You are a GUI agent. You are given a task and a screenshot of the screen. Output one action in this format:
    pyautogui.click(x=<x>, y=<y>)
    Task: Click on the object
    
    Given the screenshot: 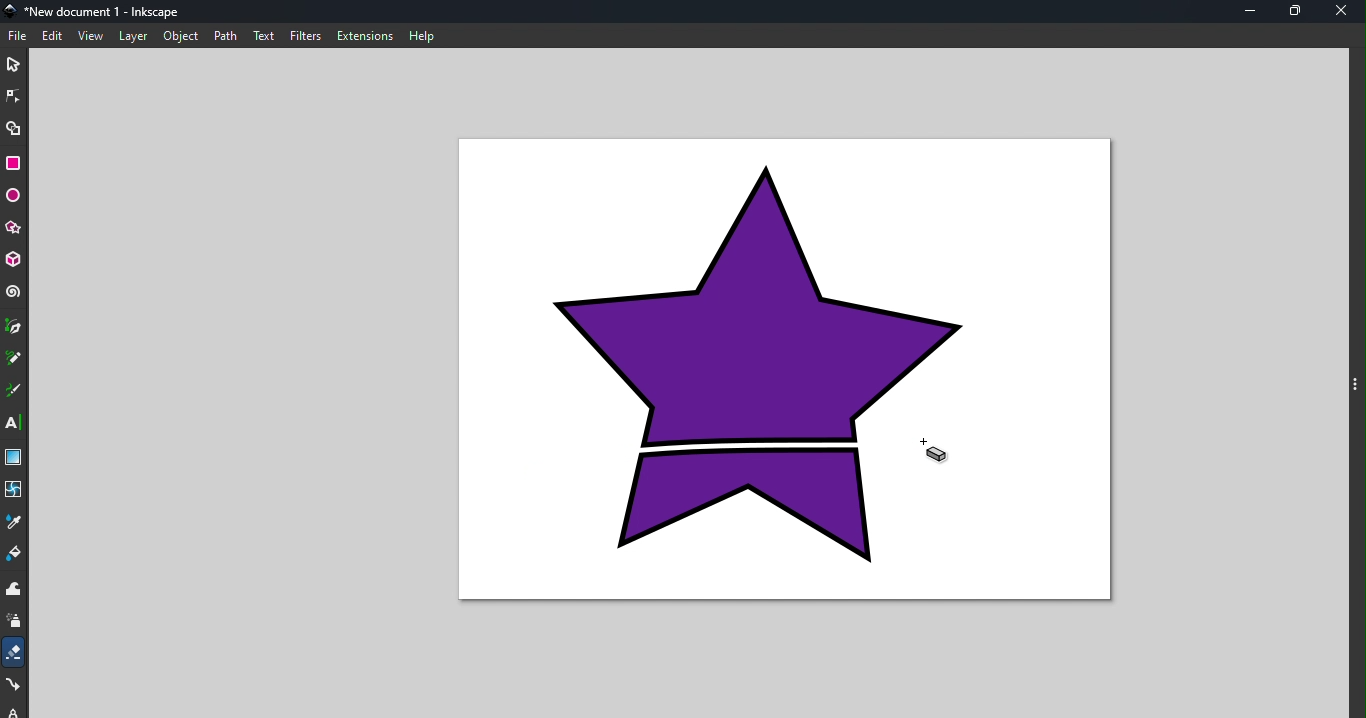 What is the action you would take?
    pyautogui.click(x=181, y=35)
    